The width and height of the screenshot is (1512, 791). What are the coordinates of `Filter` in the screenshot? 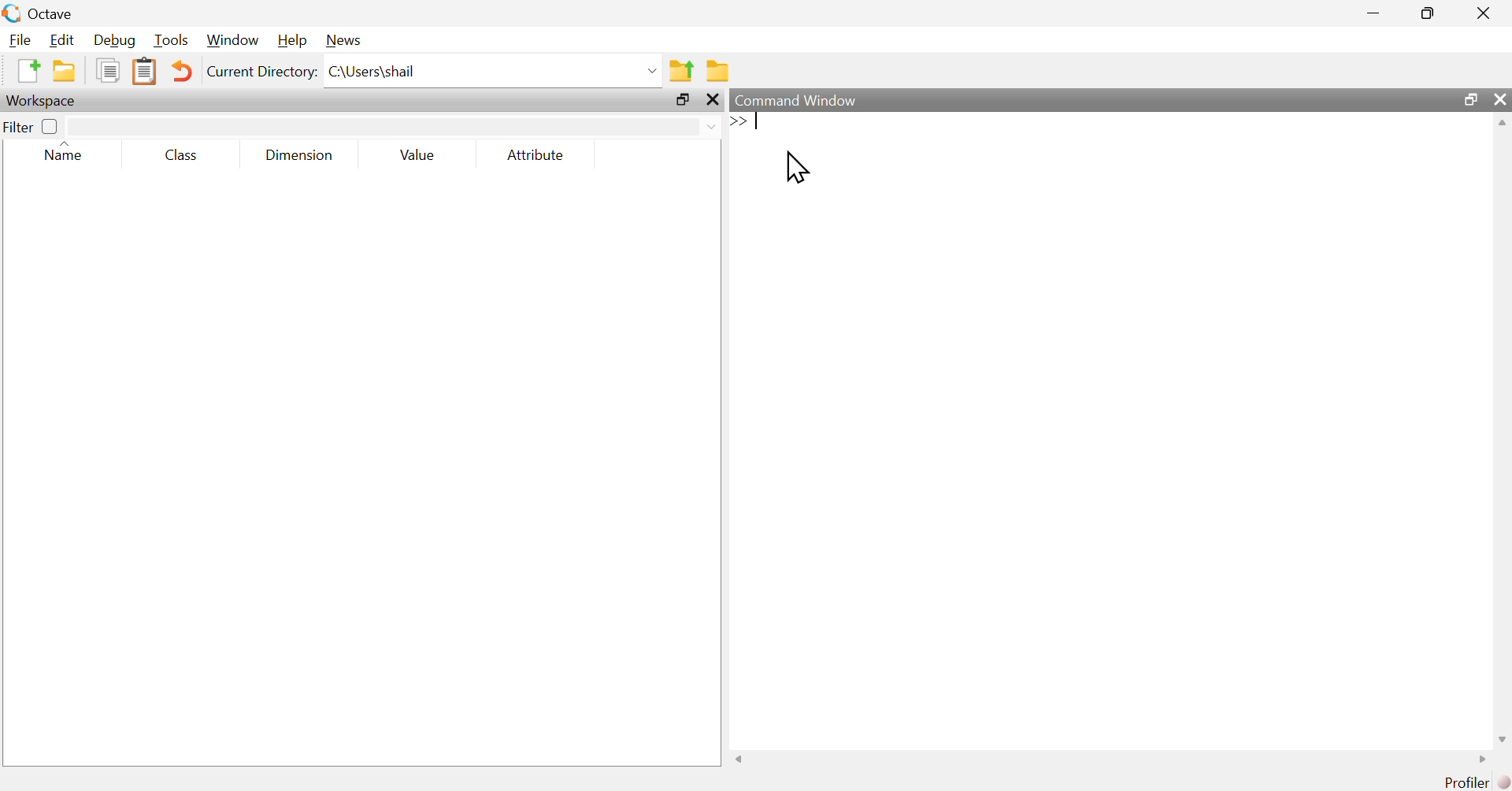 It's located at (32, 126).